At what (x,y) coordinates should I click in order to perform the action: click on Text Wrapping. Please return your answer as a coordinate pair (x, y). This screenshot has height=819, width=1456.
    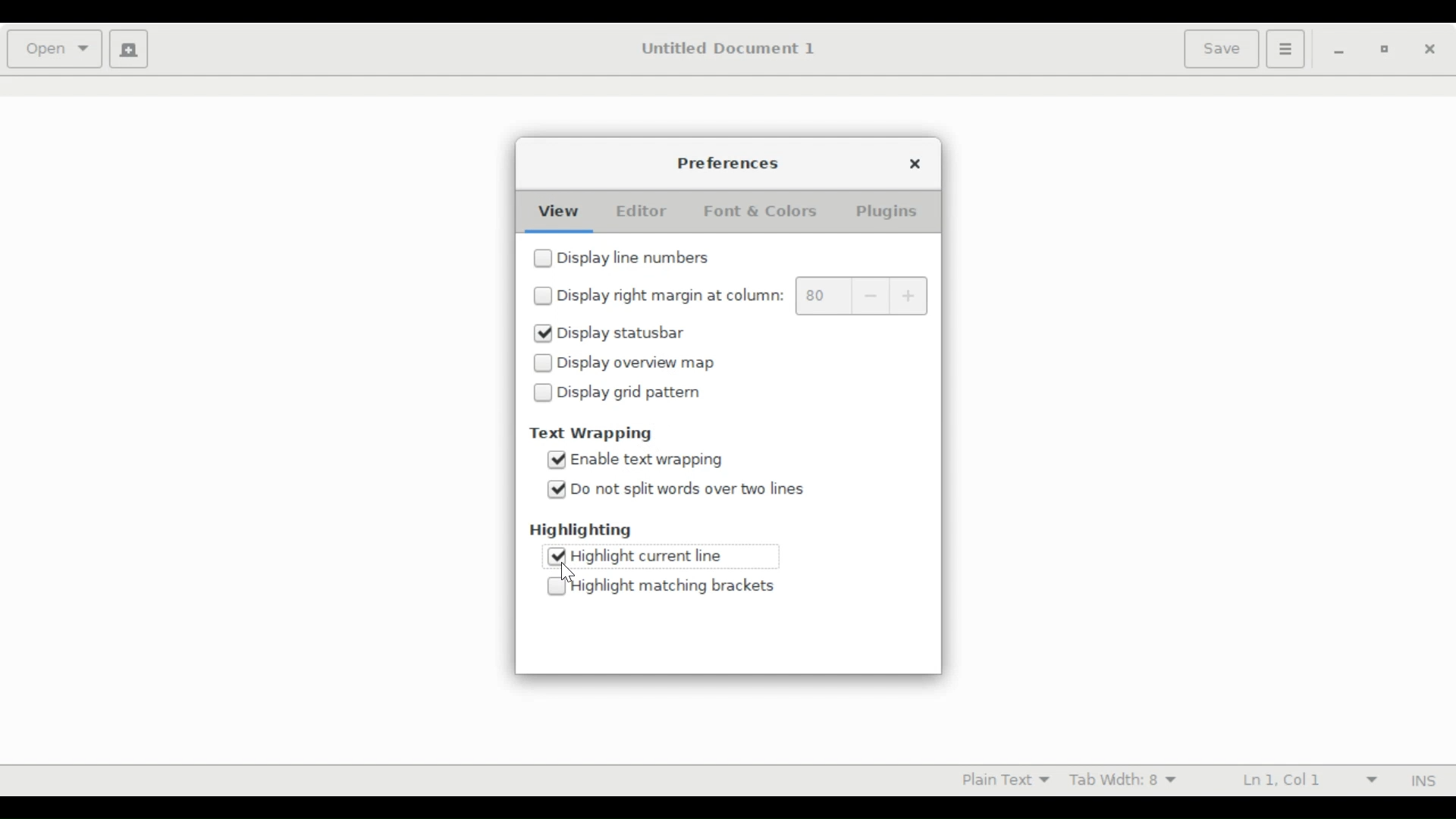
    Looking at the image, I should click on (589, 433).